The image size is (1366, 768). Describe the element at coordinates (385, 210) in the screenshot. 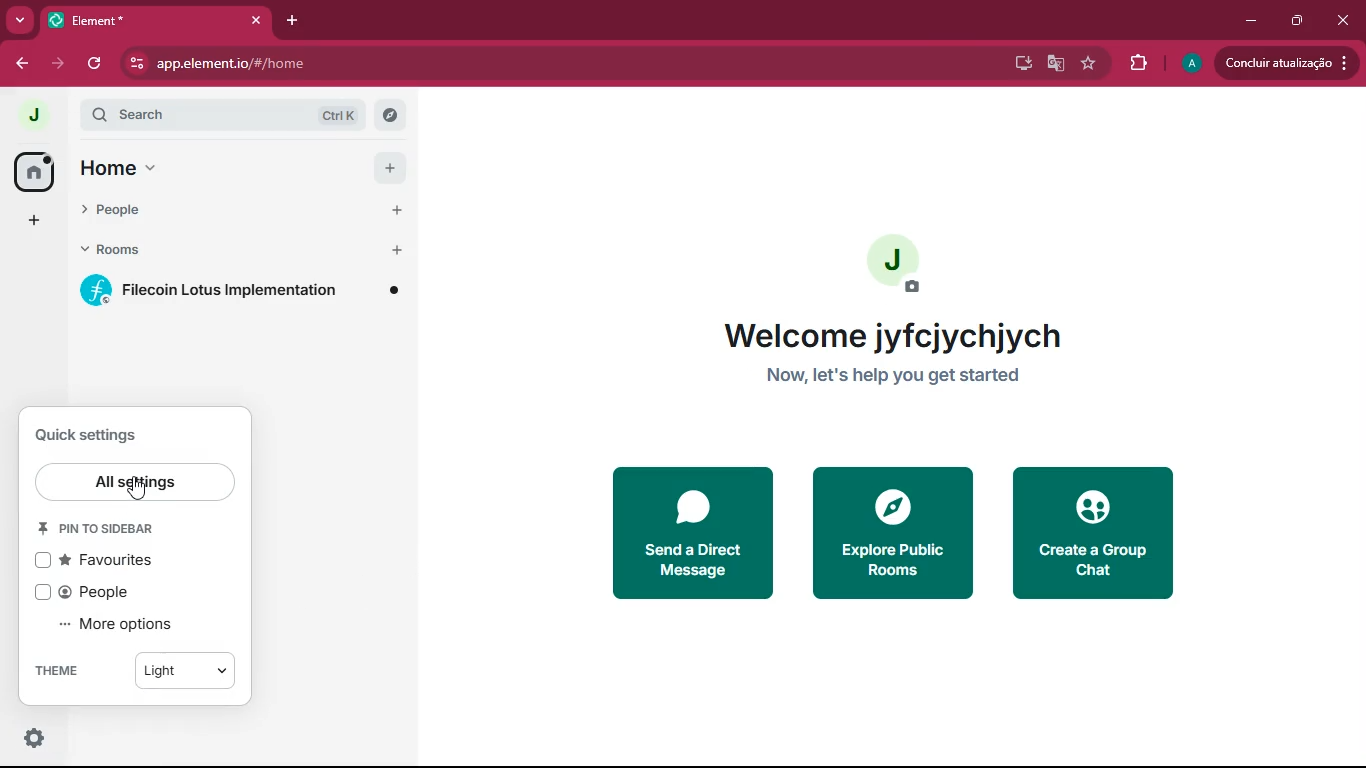

I see `add` at that location.